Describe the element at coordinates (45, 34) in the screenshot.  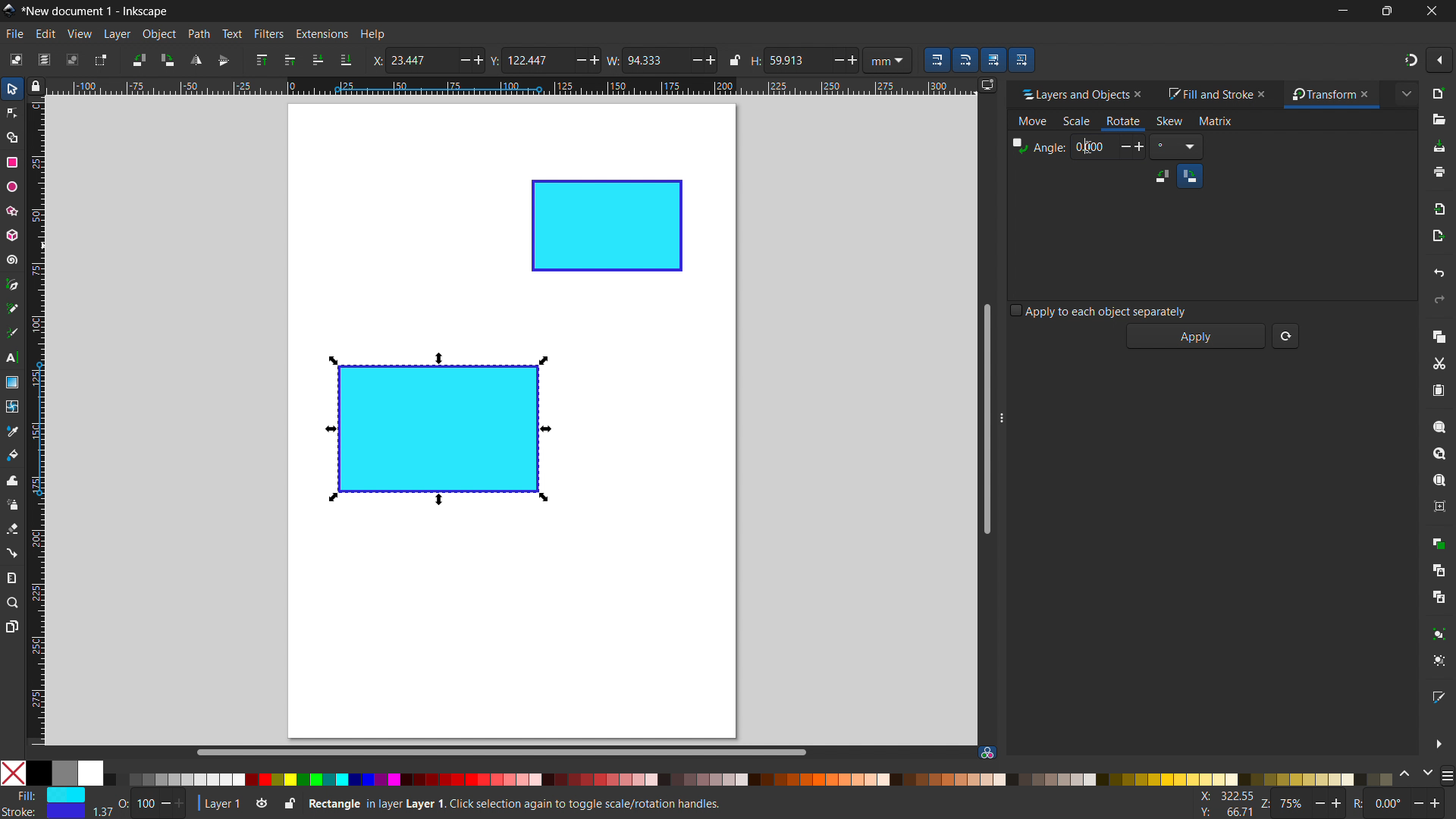
I see `edit` at that location.